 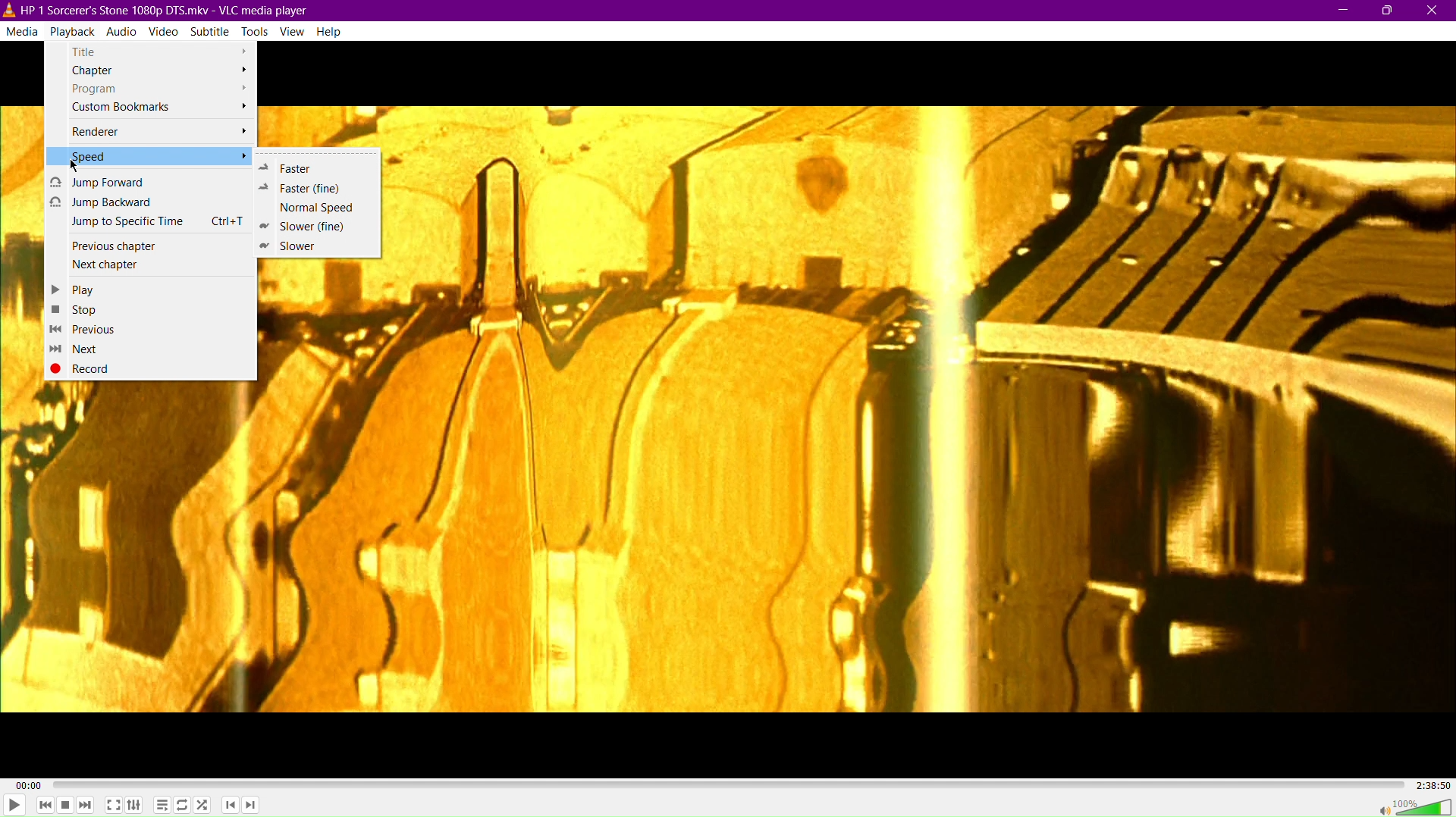 I want to click on Help, so click(x=328, y=31).